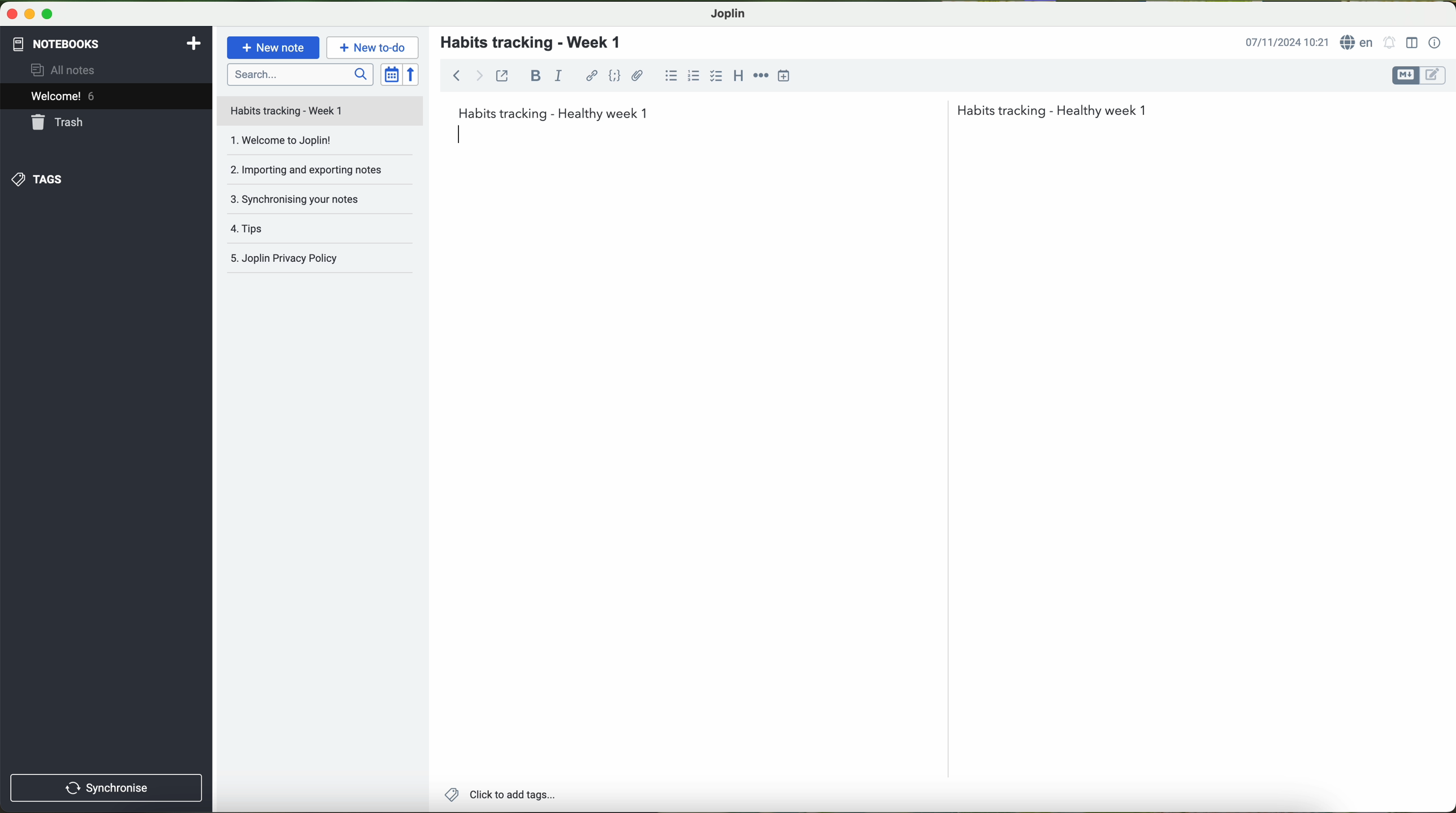 This screenshot has width=1456, height=813. I want to click on italic, so click(558, 75).